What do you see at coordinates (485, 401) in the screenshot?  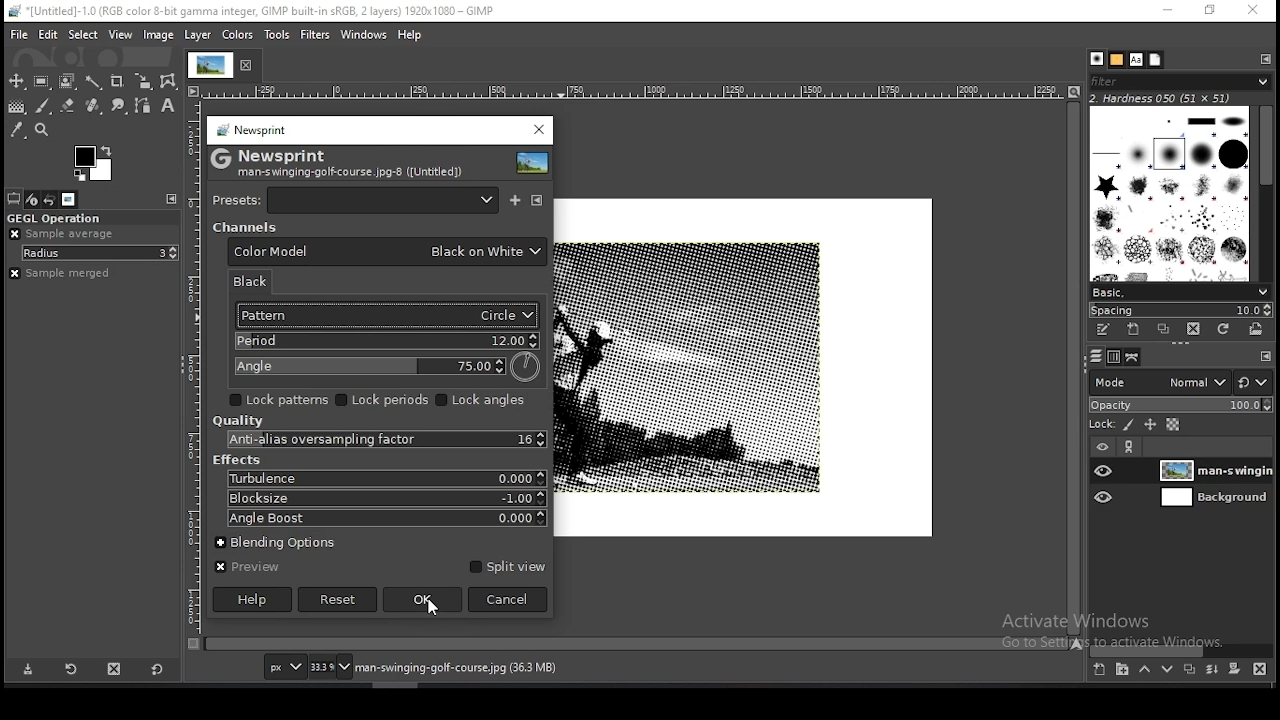 I see `lock angles on/off` at bounding box center [485, 401].